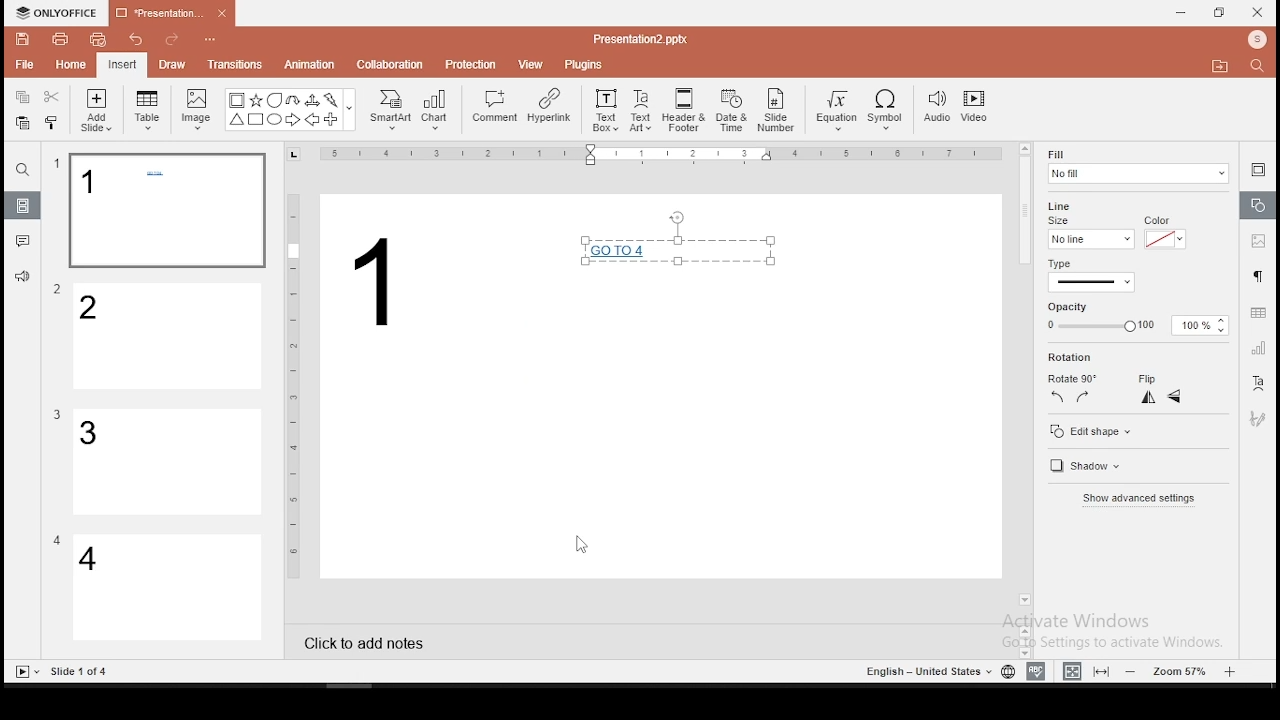  What do you see at coordinates (388, 110) in the screenshot?
I see `smart` at bounding box center [388, 110].